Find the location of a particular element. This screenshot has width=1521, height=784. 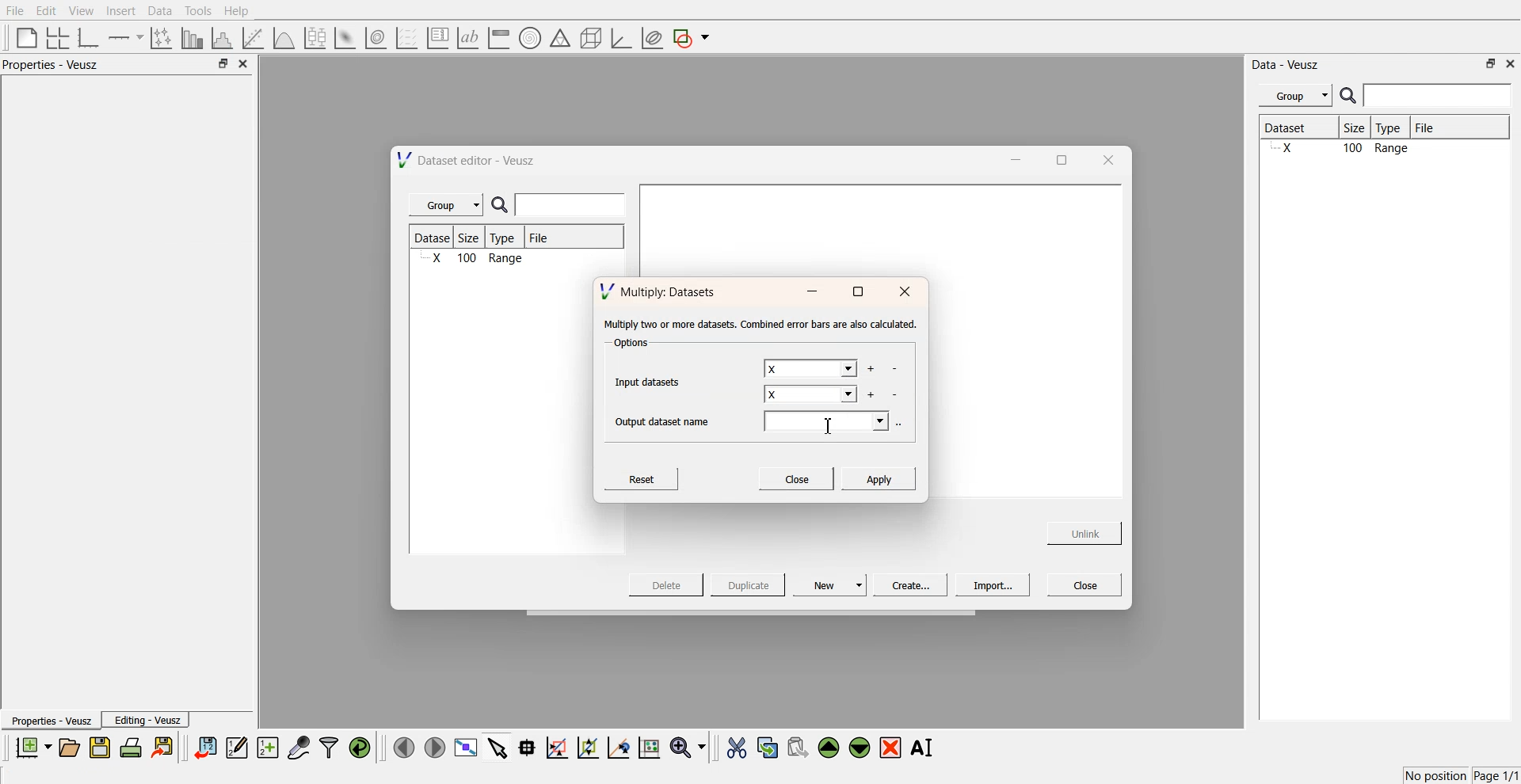

output datasets field is located at coordinates (829, 423).